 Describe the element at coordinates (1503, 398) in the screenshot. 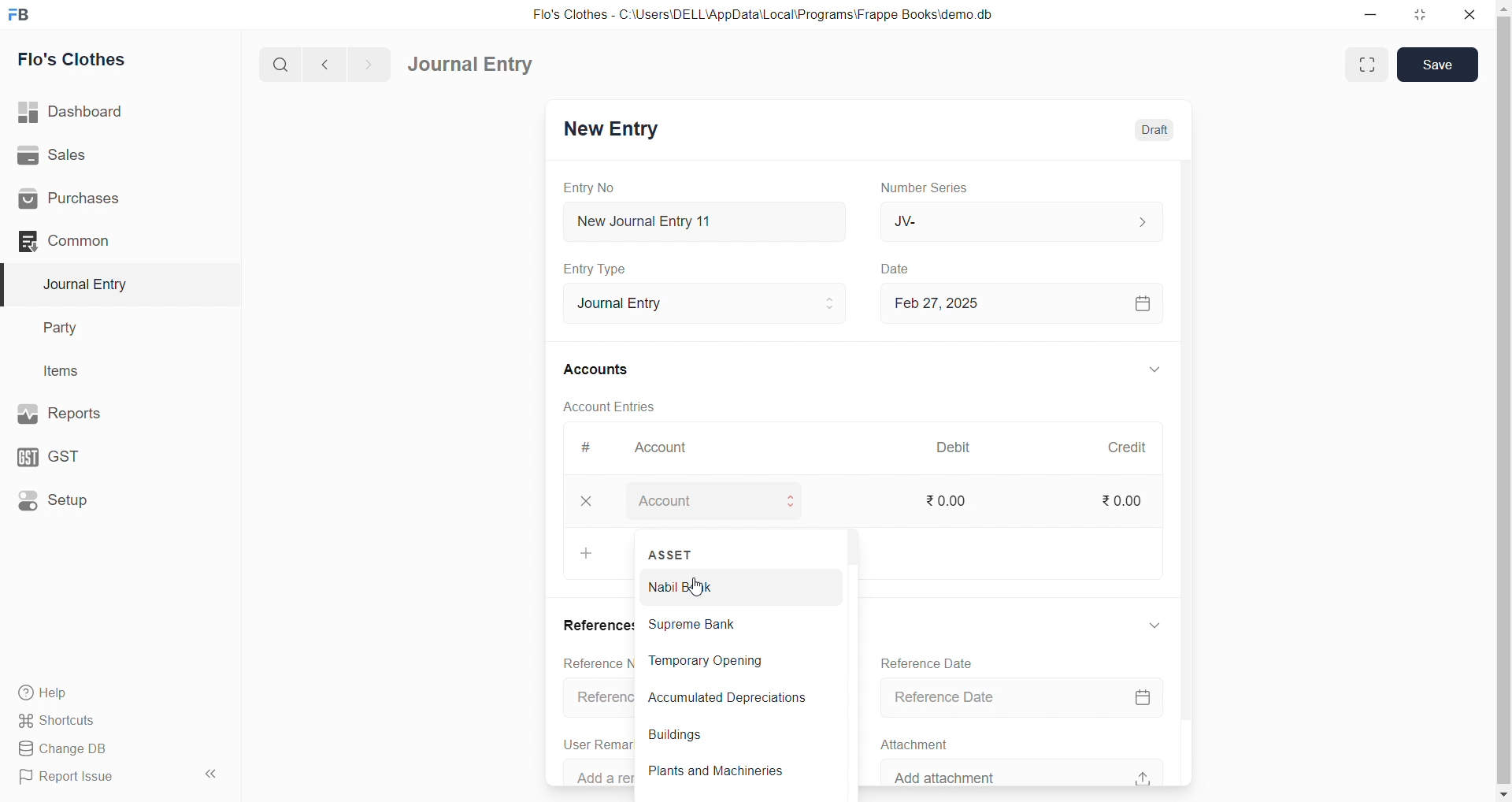

I see `vertical scroll bar` at that location.